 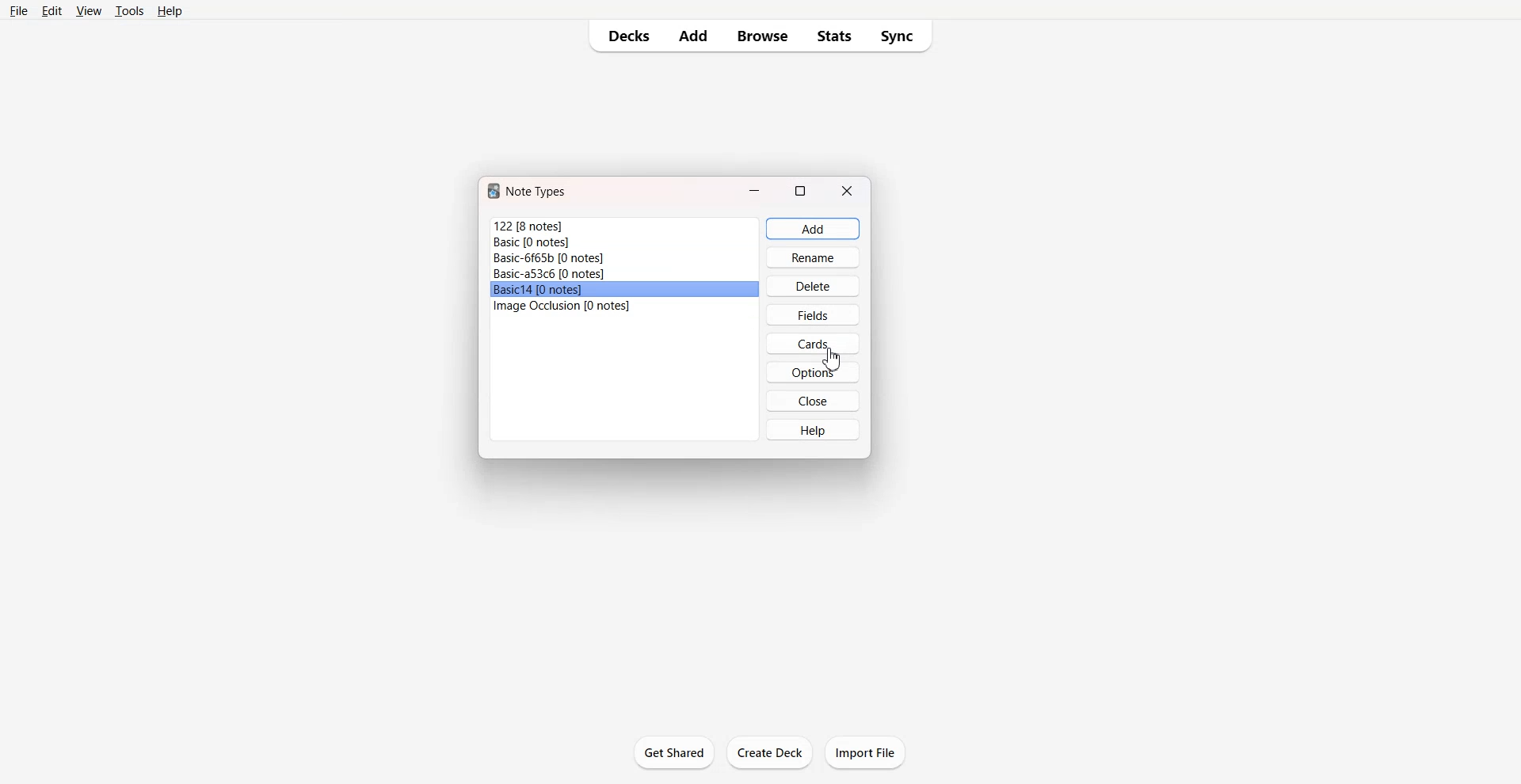 What do you see at coordinates (88, 11) in the screenshot?
I see `View` at bounding box center [88, 11].